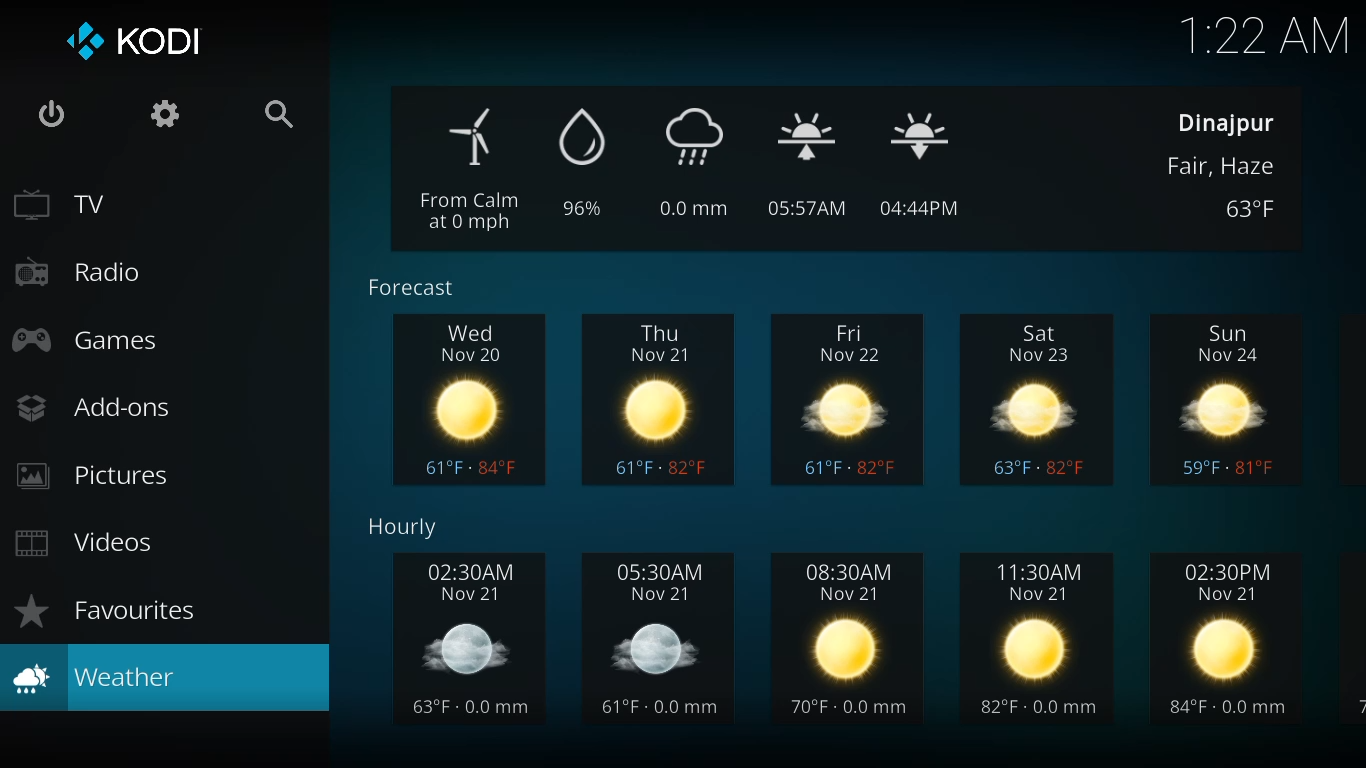 This screenshot has width=1366, height=768. Describe the element at coordinates (1224, 123) in the screenshot. I see `location` at that location.